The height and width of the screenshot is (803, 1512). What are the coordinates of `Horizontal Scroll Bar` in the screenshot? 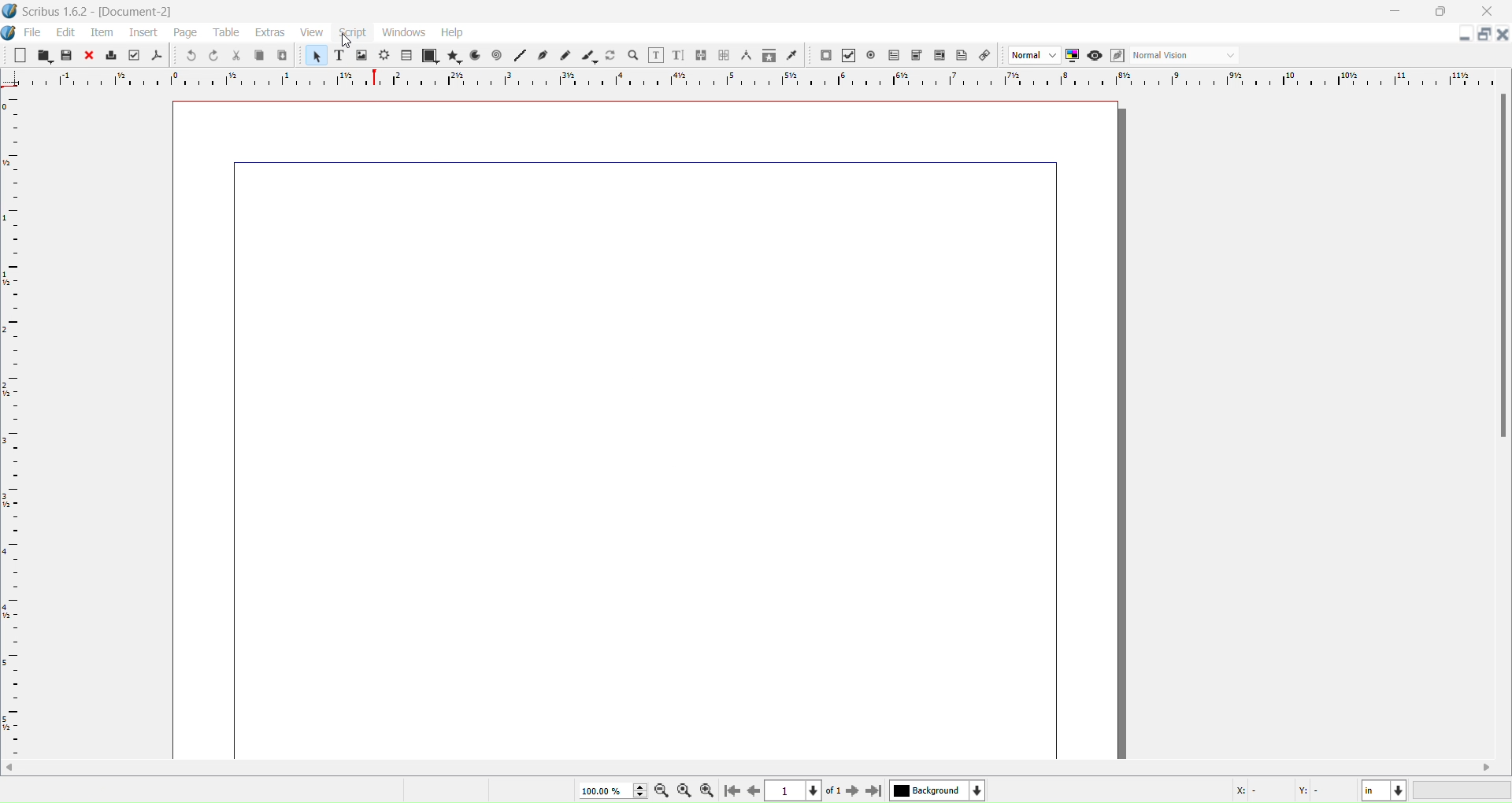 It's located at (756, 768).